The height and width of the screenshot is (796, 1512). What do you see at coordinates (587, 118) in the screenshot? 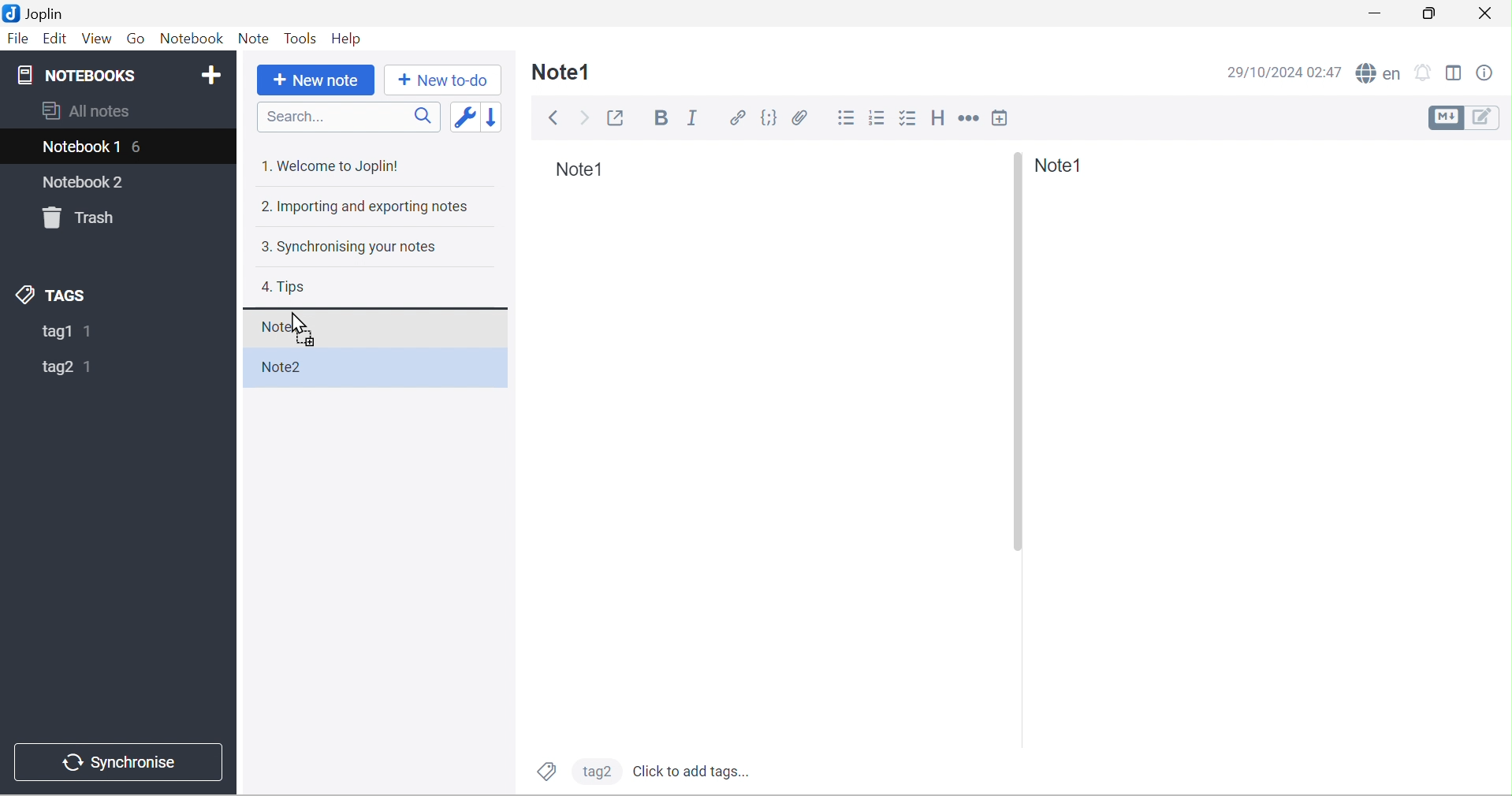
I see `Forward` at bounding box center [587, 118].